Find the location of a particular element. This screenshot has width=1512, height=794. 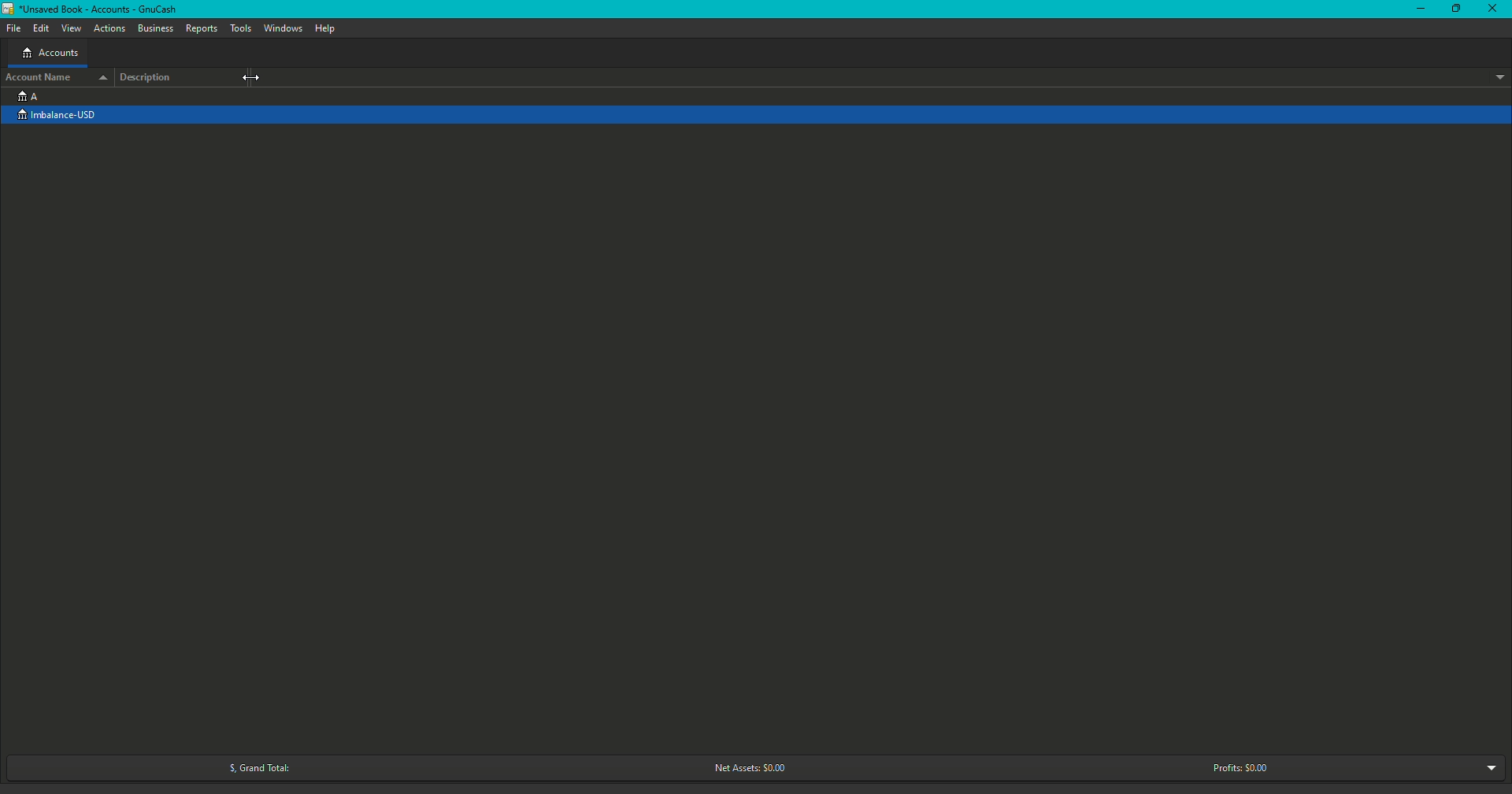

Imbalance is located at coordinates (65, 116).